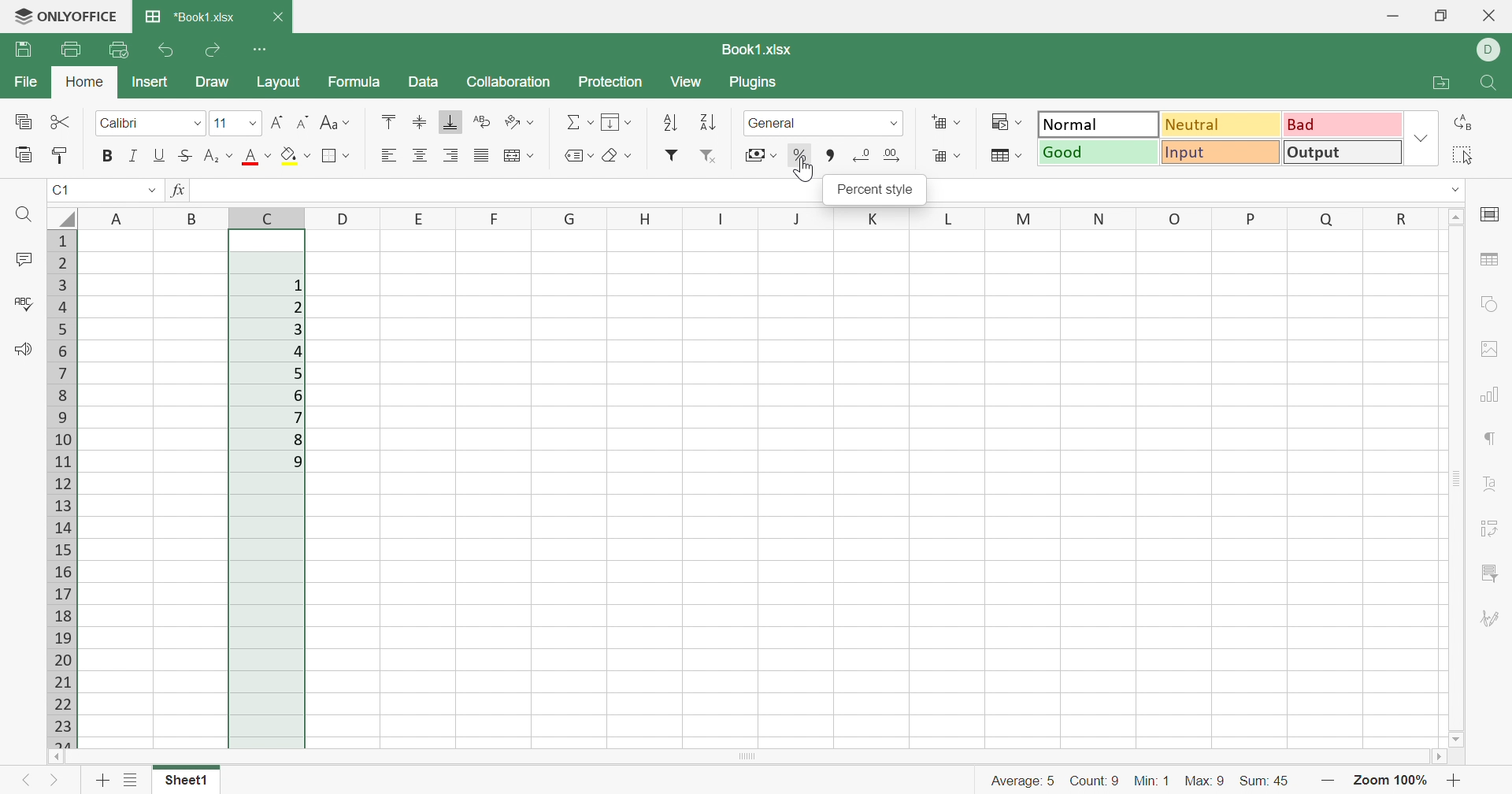  I want to click on Q, so click(1317, 219).